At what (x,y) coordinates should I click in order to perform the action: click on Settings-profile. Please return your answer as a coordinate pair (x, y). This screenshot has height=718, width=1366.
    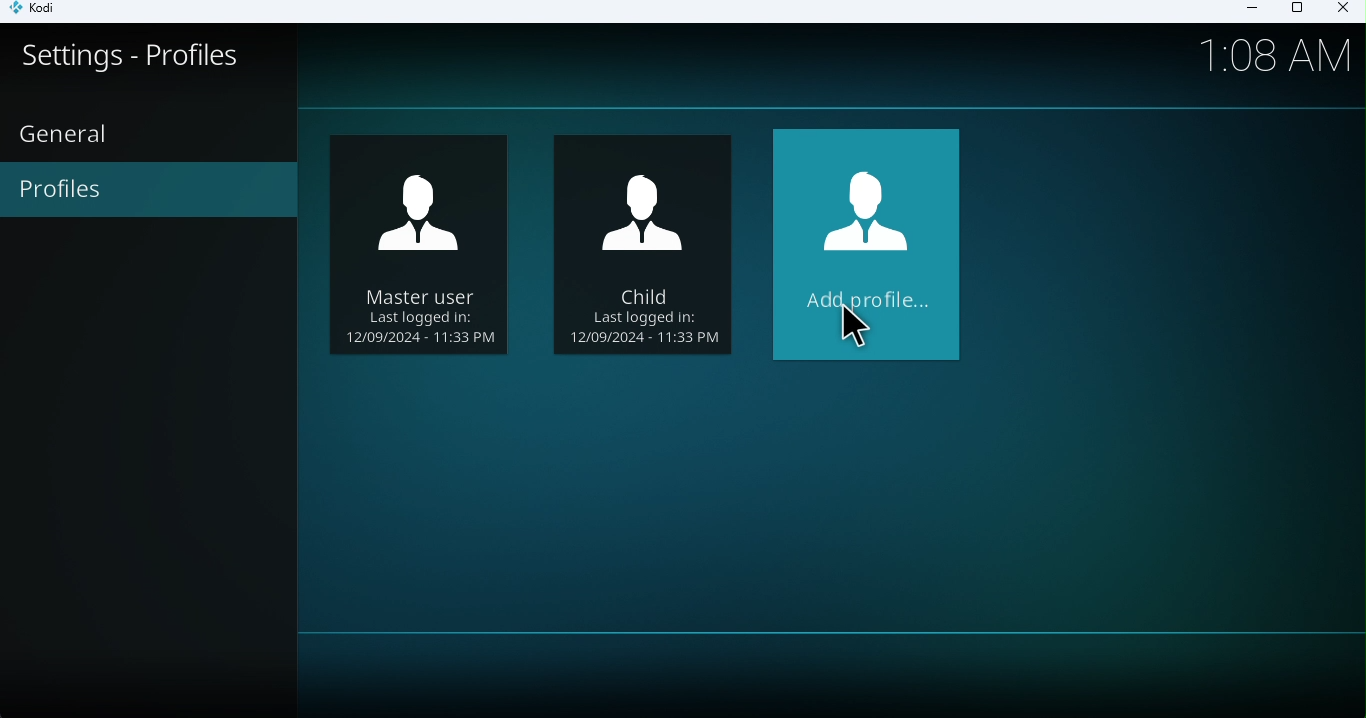
    Looking at the image, I should click on (151, 69).